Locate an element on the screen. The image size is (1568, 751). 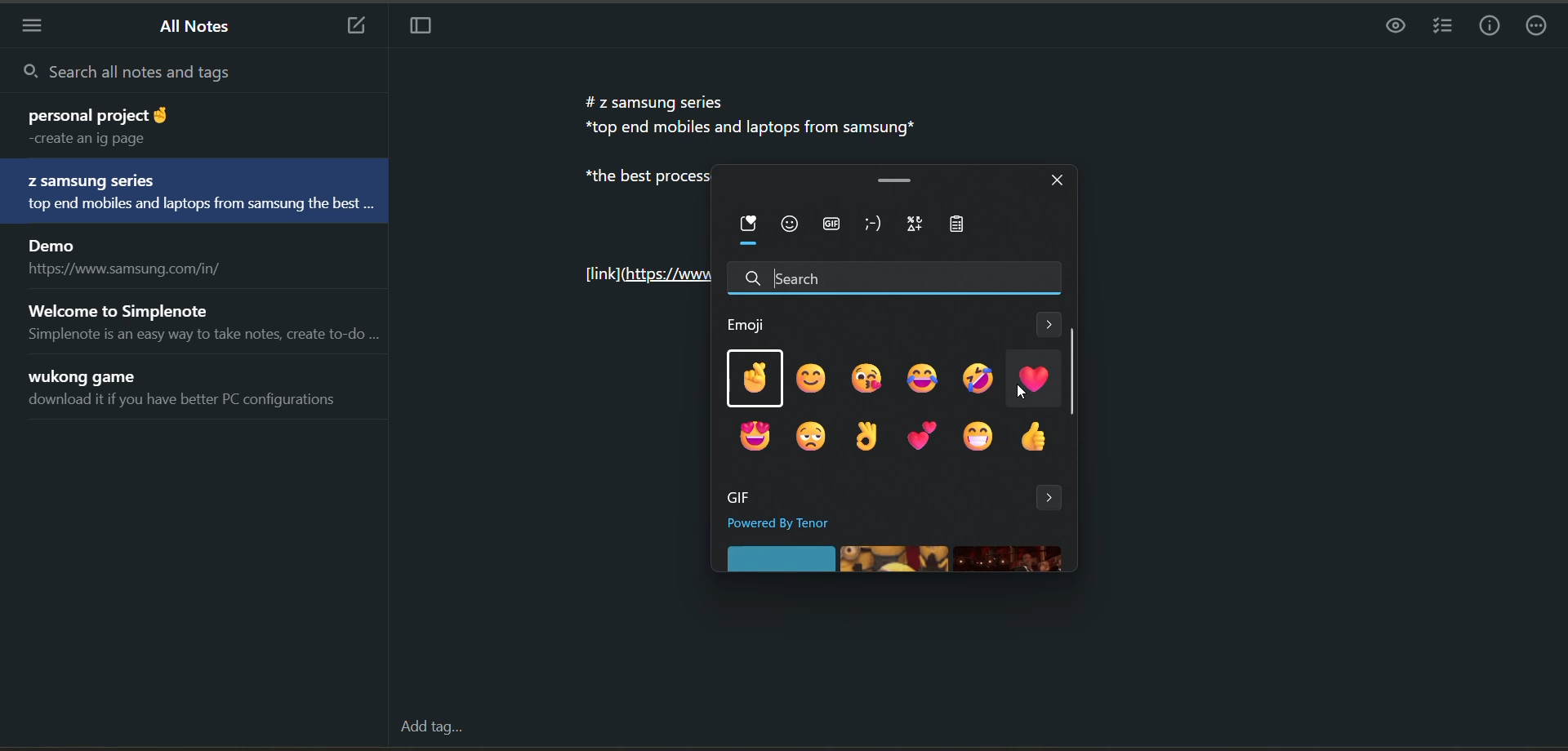
preview is located at coordinates (1389, 30).